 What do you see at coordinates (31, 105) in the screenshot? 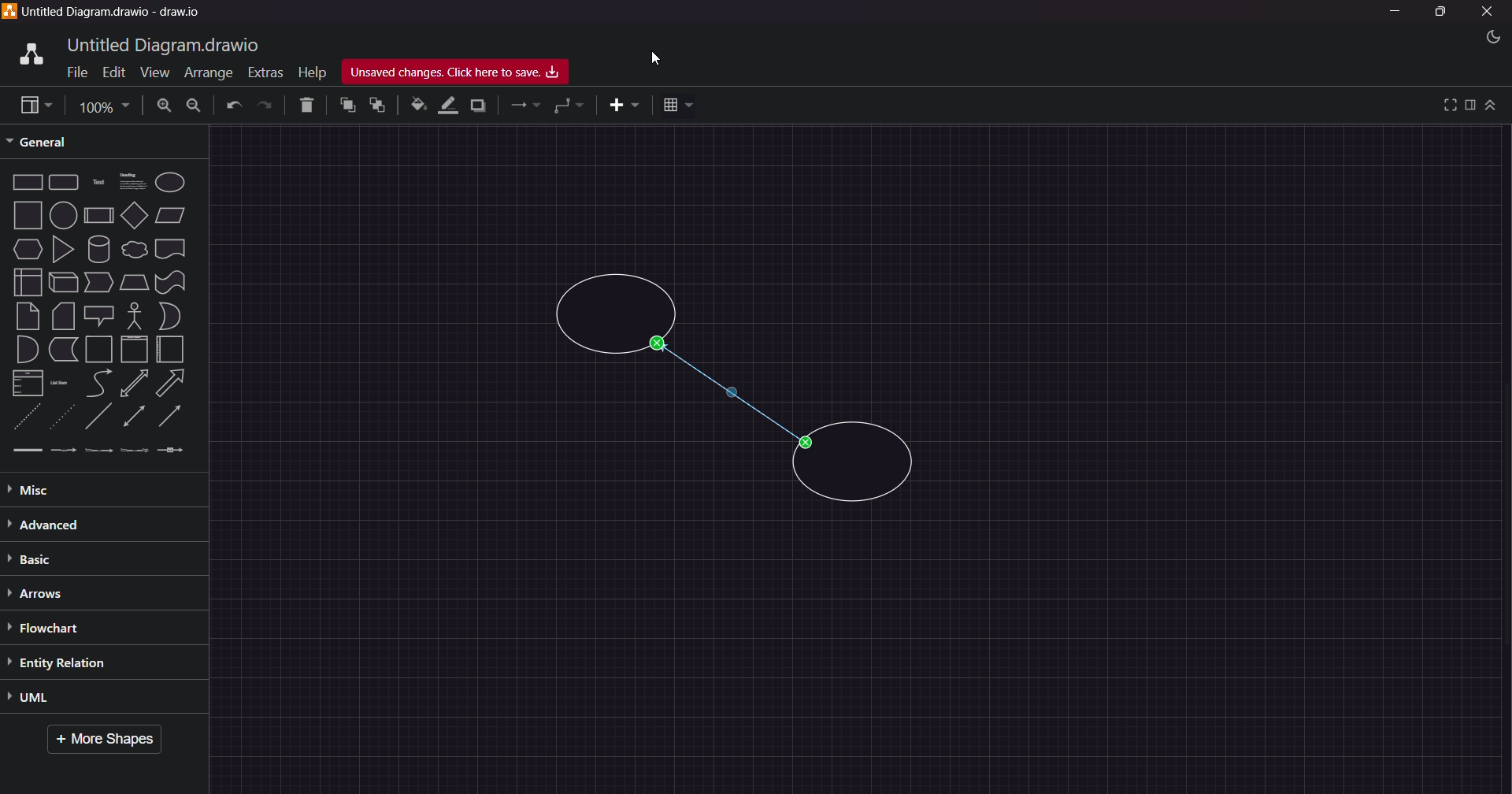
I see `view` at bounding box center [31, 105].